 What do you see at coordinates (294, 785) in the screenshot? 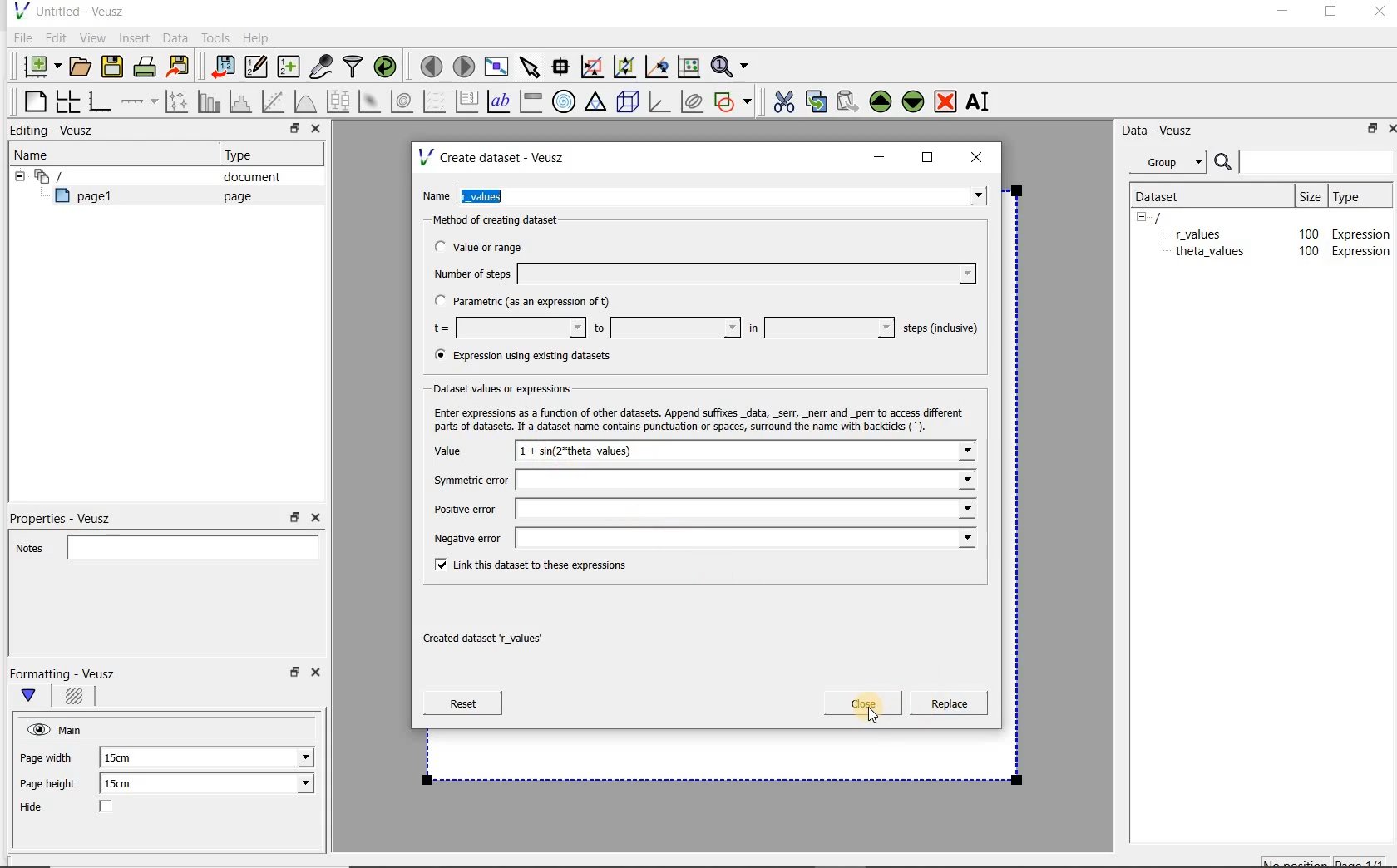
I see `Page height dropdown` at bounding box center [294, 785].